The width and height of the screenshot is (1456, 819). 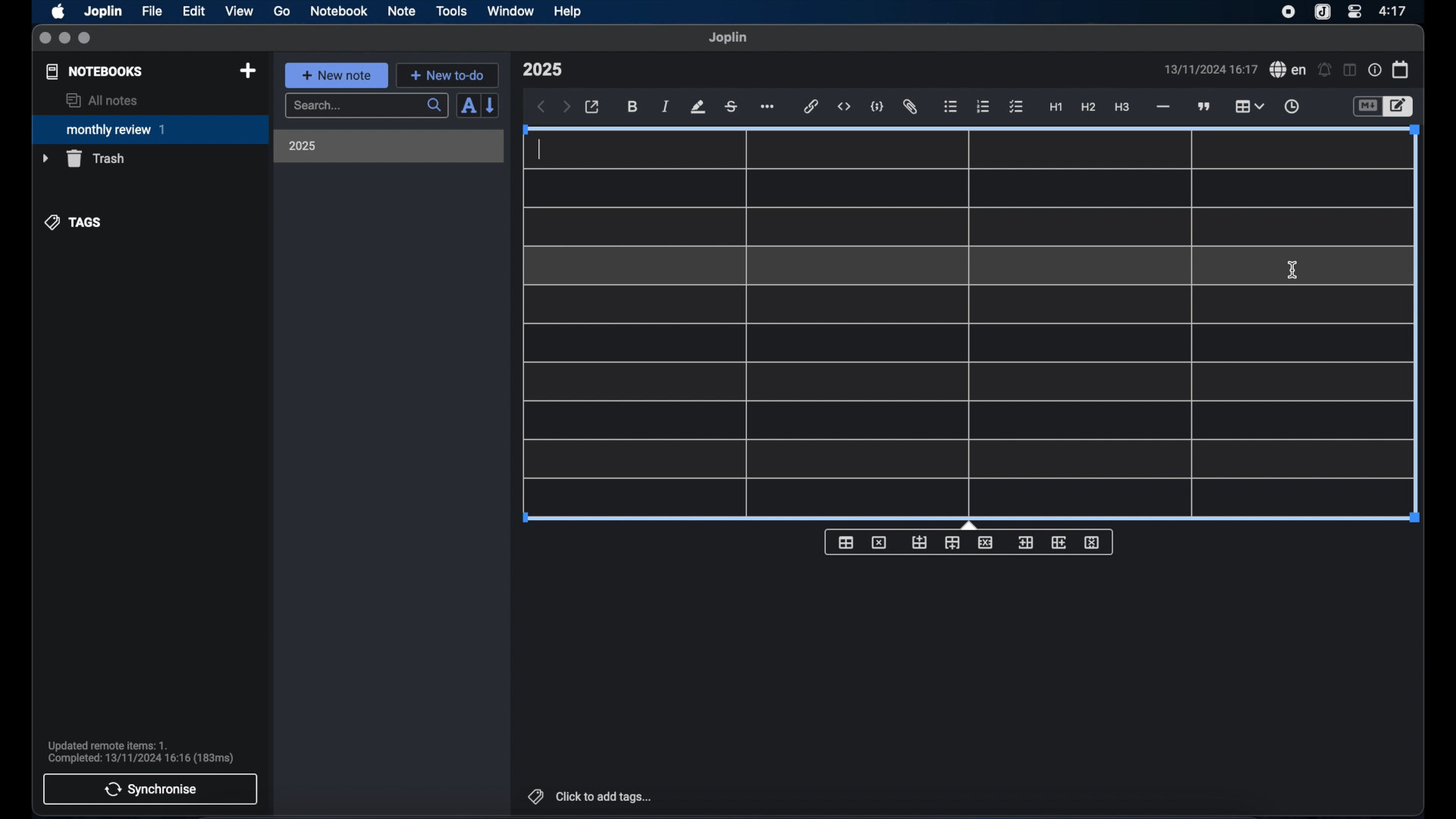 What do you see at coordinates (468, 106) in the screenshot?
I see `sort order field` at bounding box center [468, 106].